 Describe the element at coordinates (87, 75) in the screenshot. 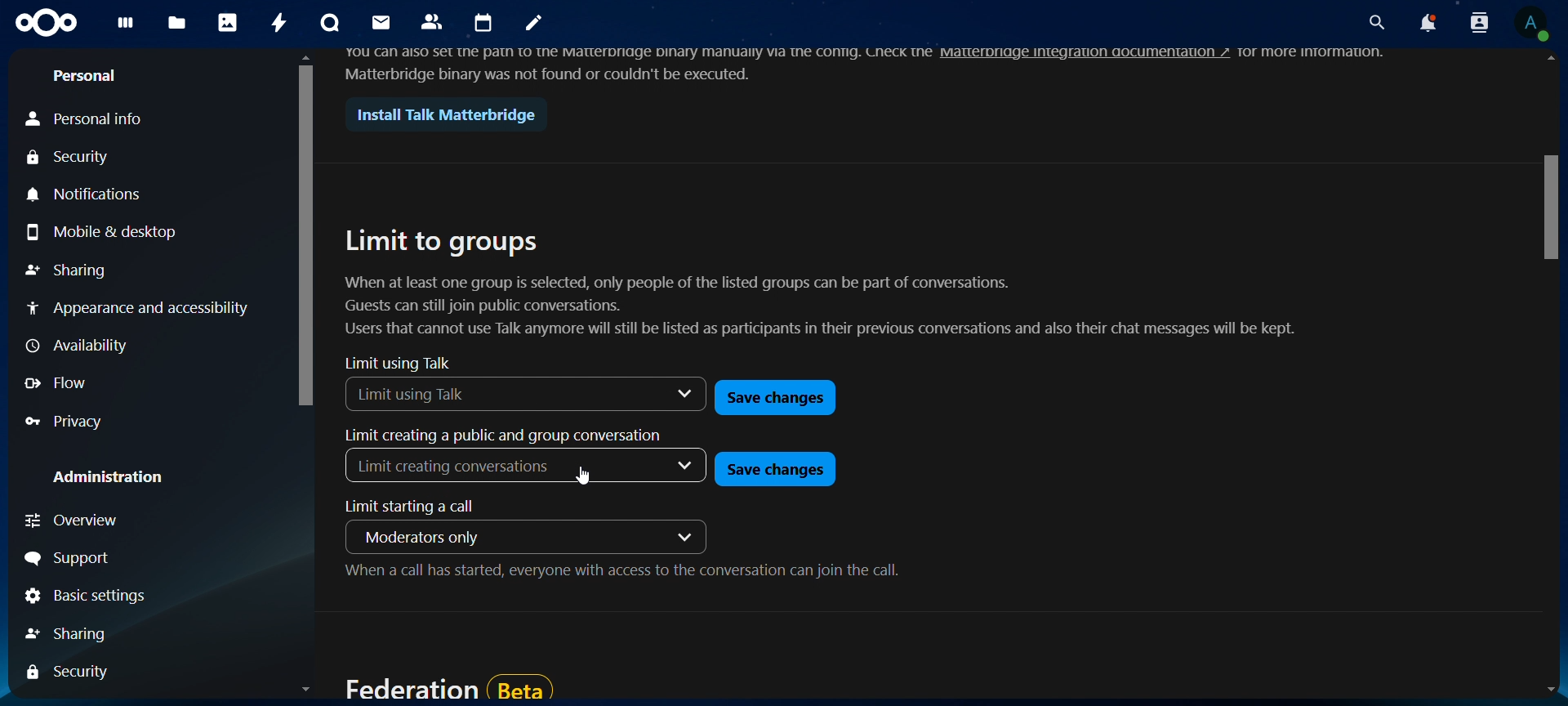

I see `personal` at that location.